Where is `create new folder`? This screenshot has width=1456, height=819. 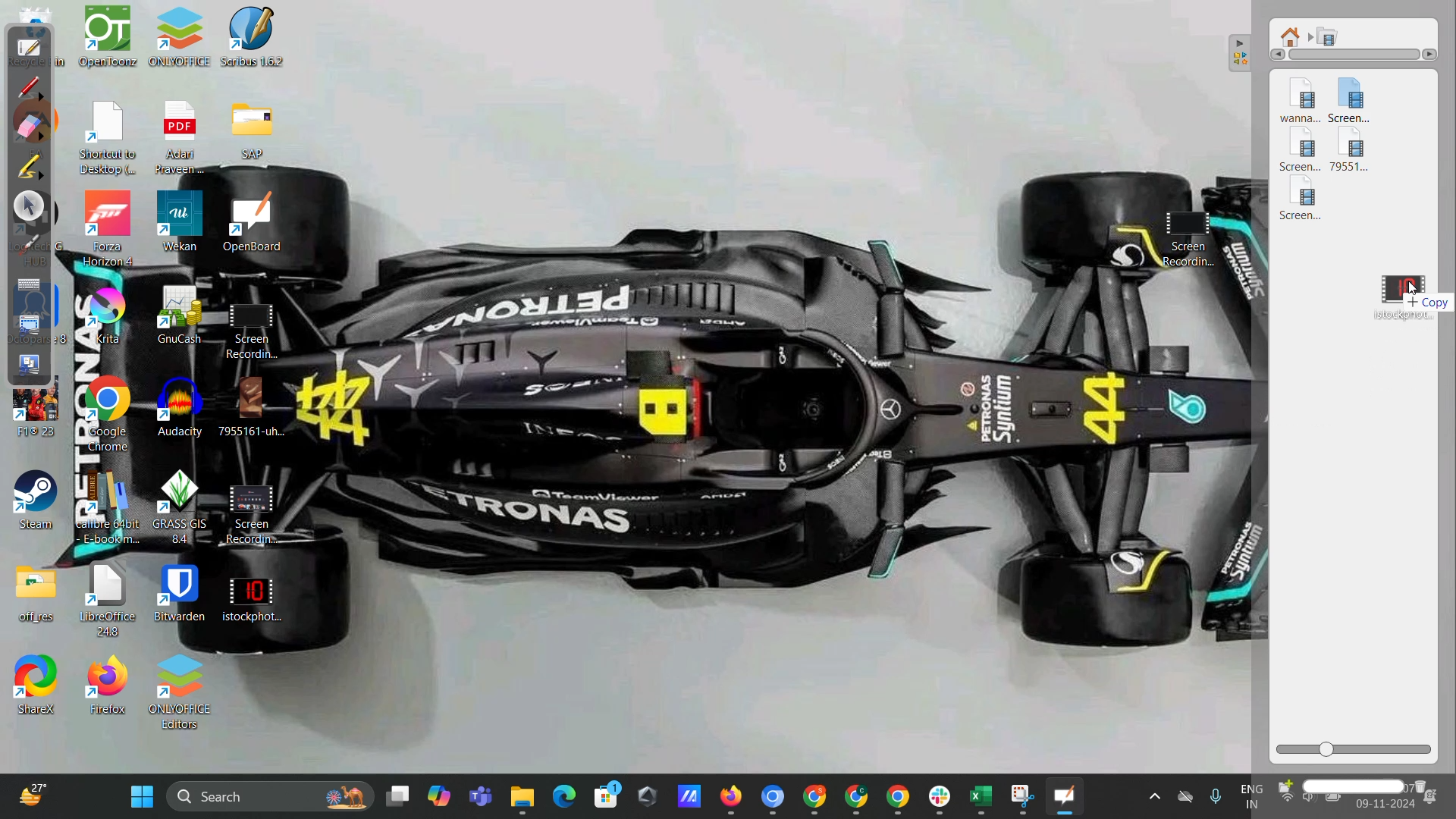
create new folder is located at coordinates (1282, 788).